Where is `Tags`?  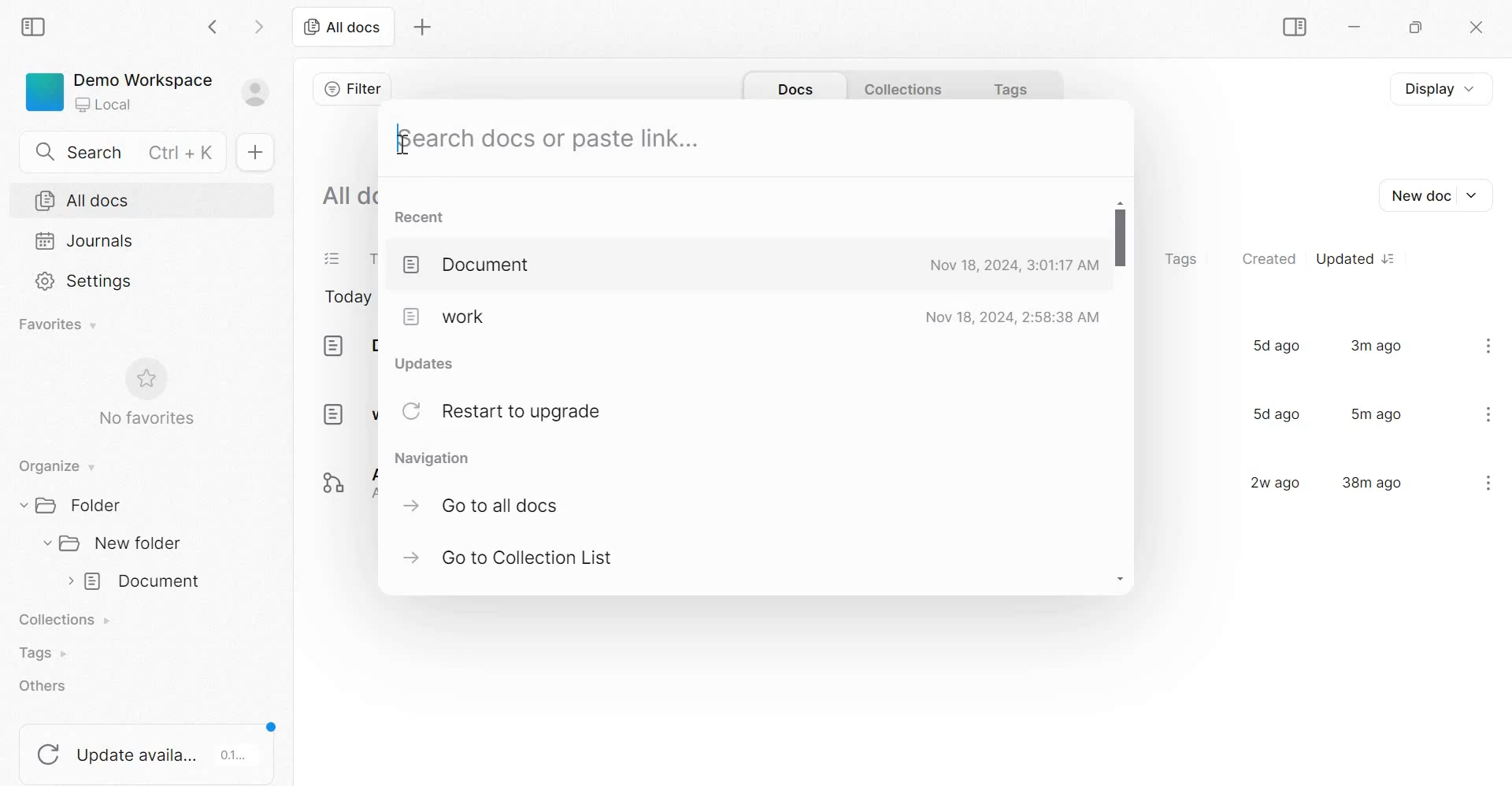 Tags is located at coordinates (41, 653).